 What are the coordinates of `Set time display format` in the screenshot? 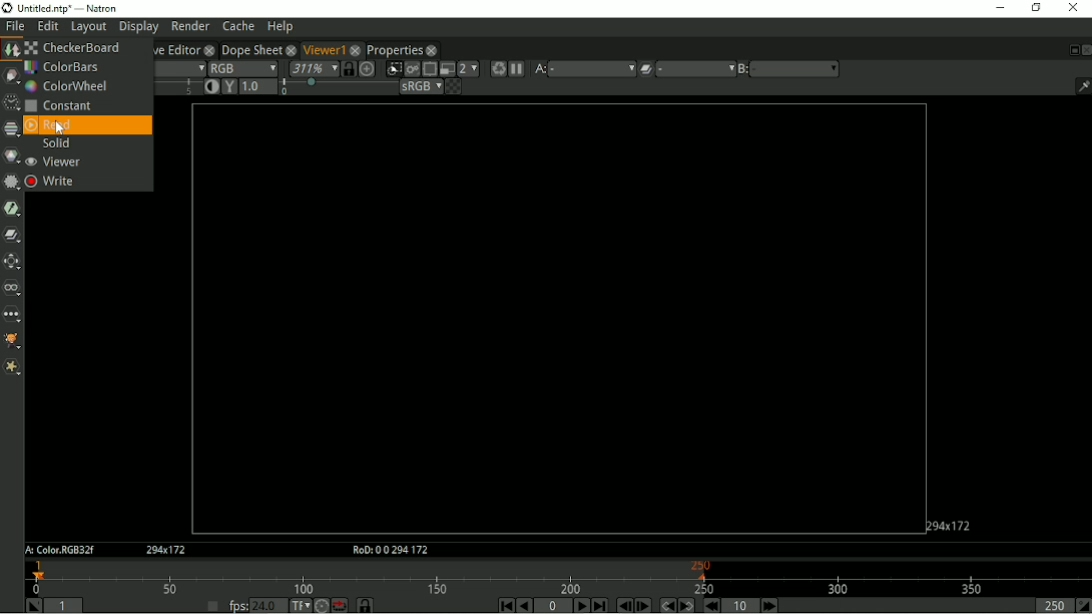 It's located at (299, 605).